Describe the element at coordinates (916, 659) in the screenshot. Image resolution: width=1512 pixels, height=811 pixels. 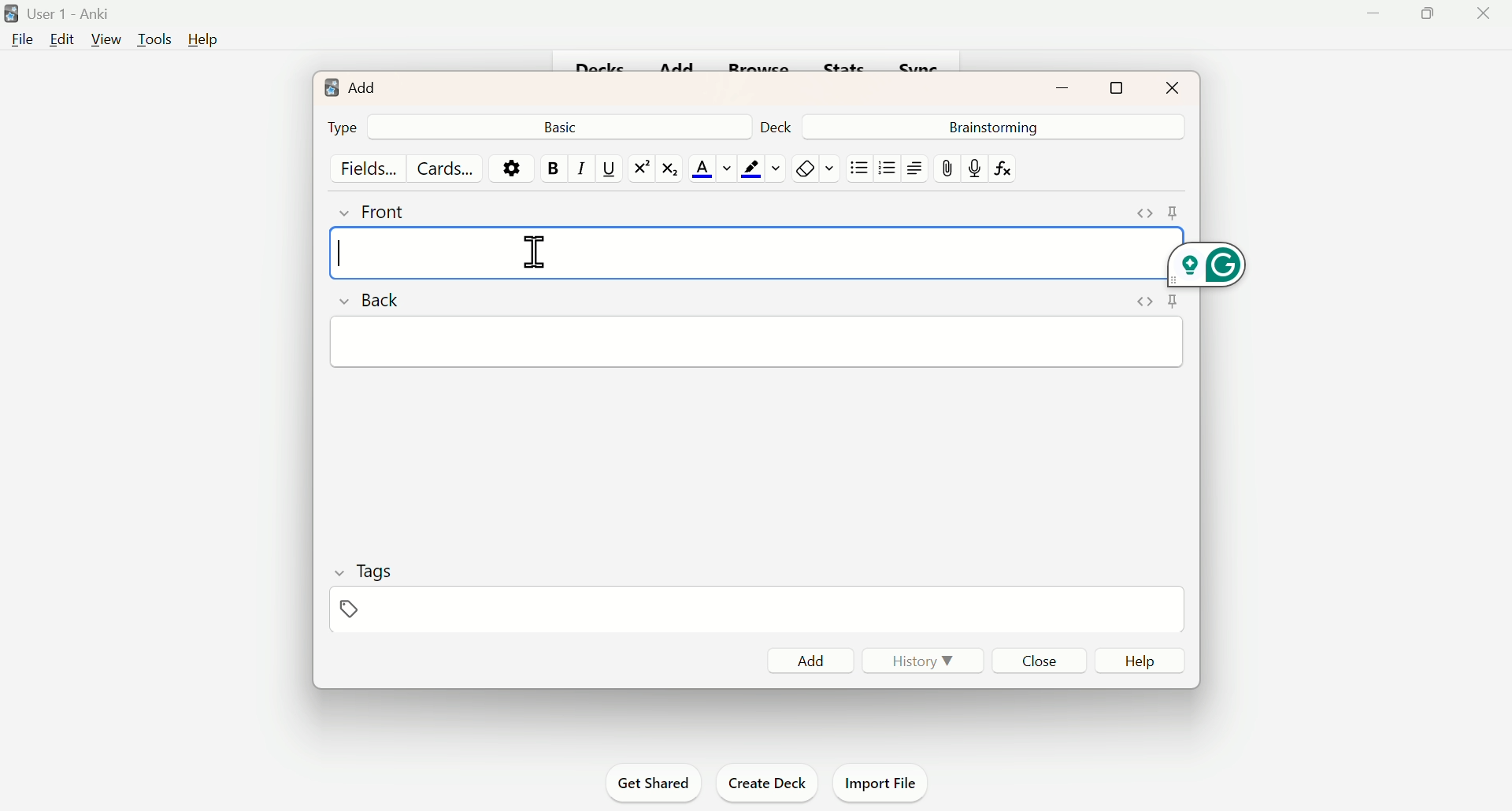
I see `History` at that location.